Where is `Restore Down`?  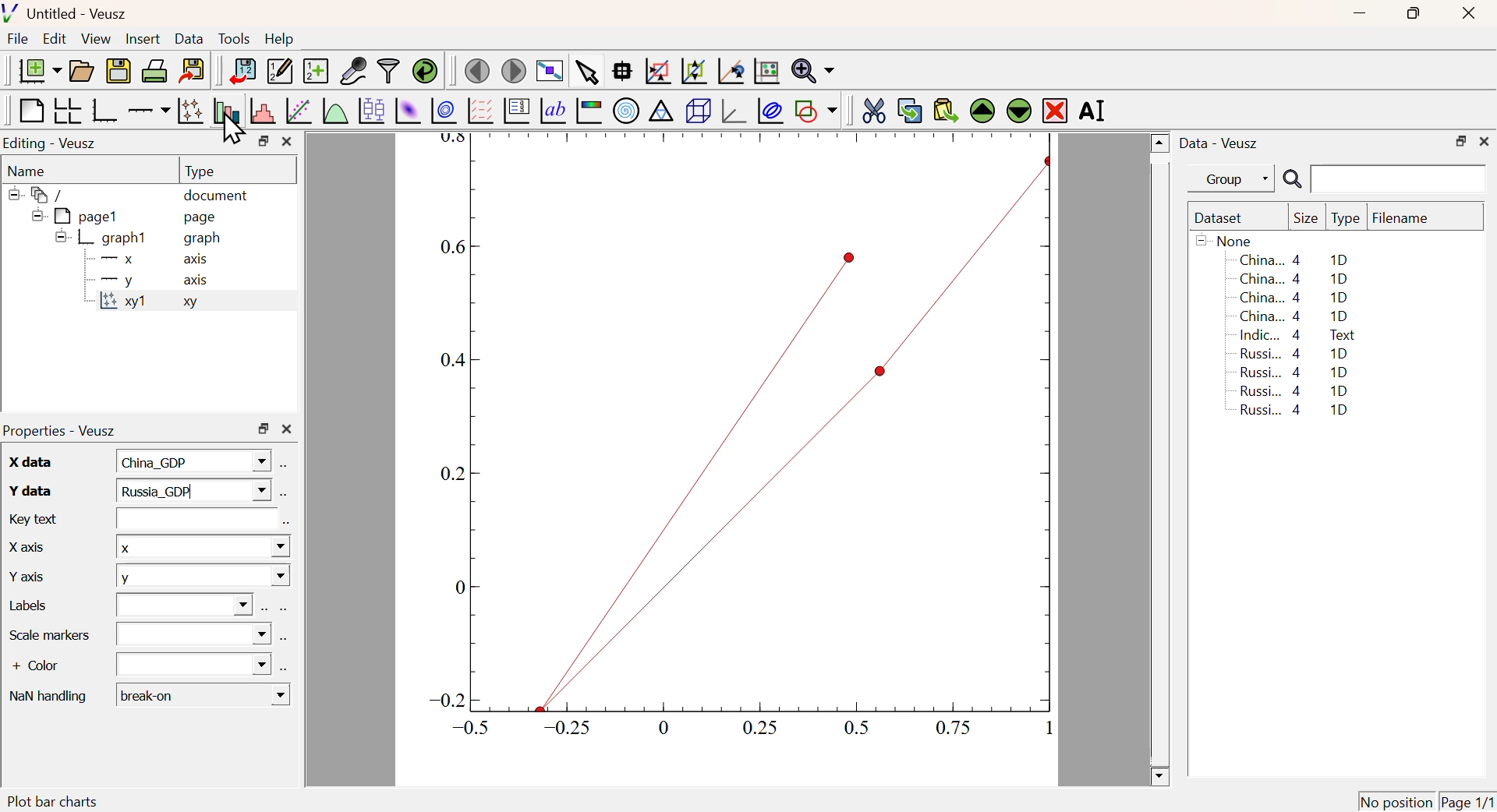
Restore Down is located at coordinates (264, 429).